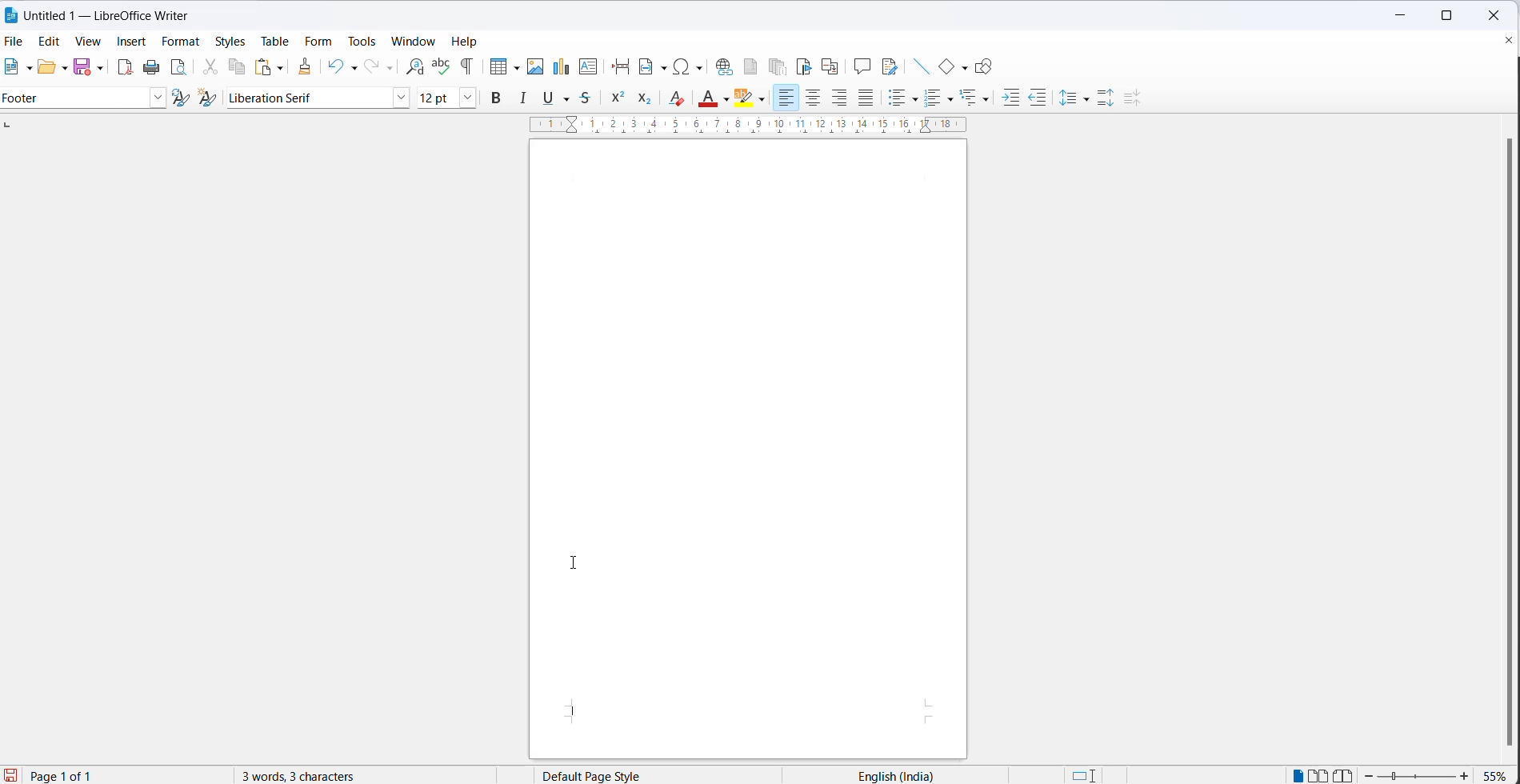  What do you see at coordinates (563, 67) in the screenshot?
I see `insert chart` at bounding box center [563, 67].